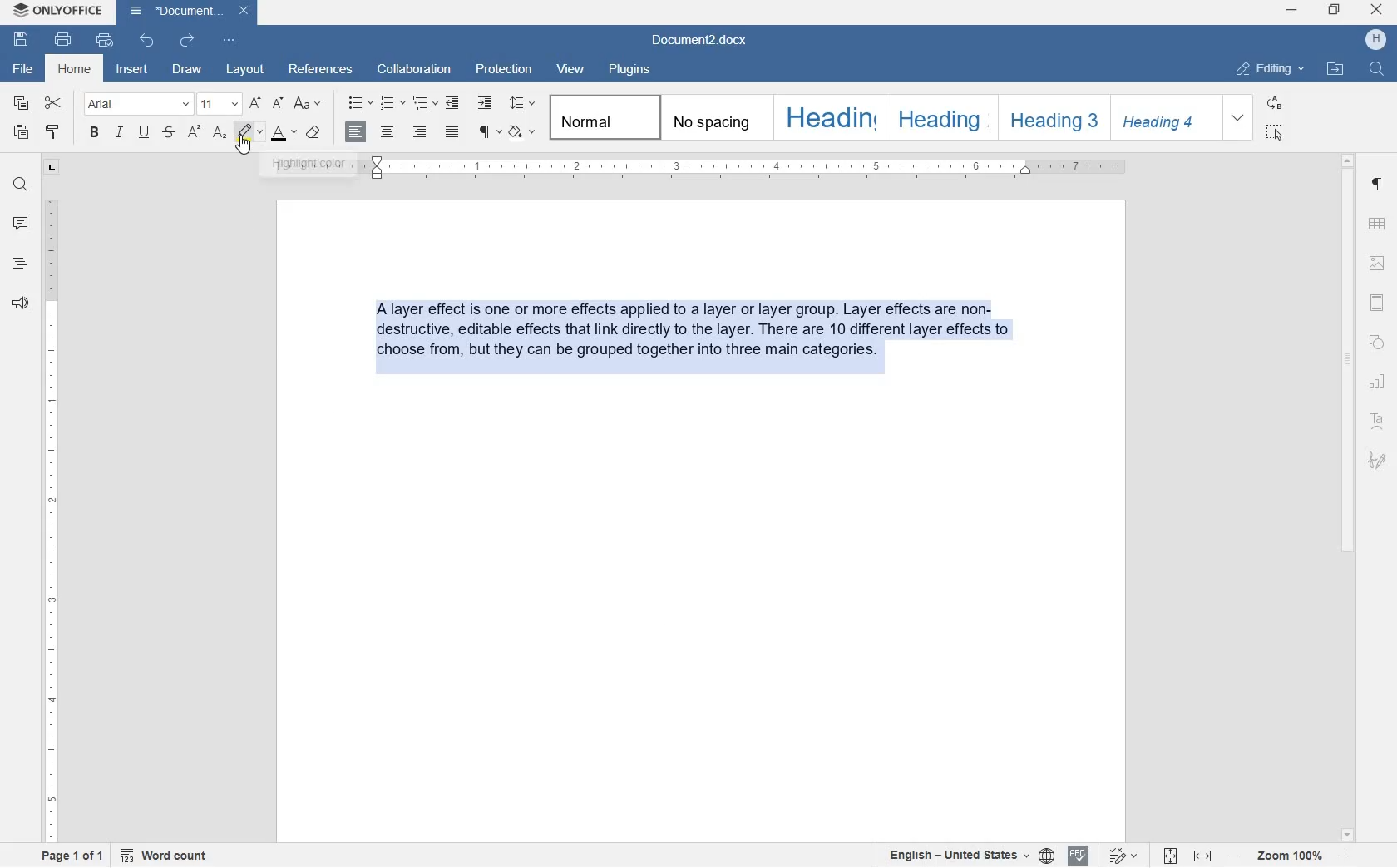  What do you see at coordinates (1377, 224) in the screenshot?
I see `table` at bounding box center [1377, 224].